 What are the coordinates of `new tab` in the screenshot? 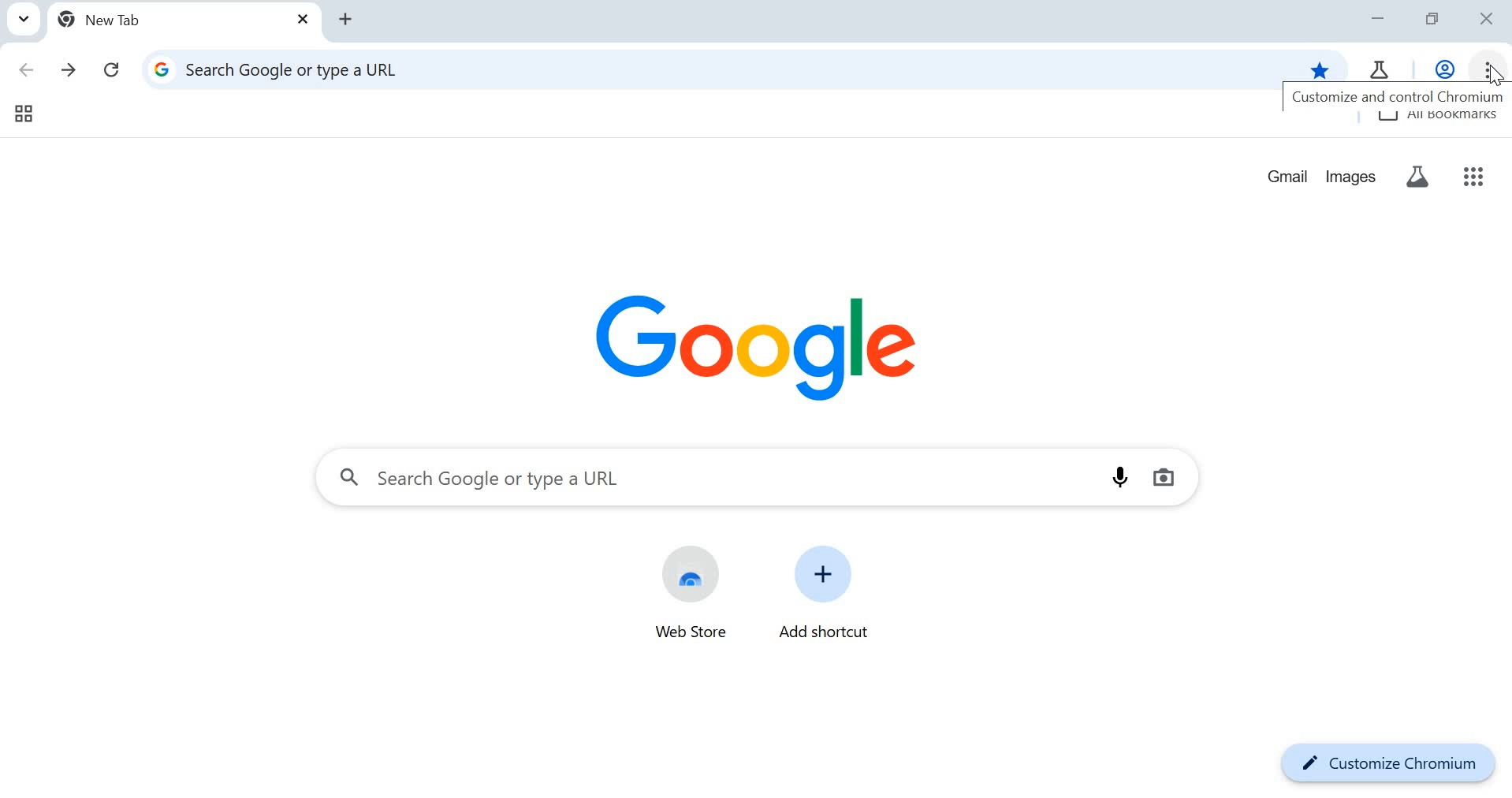 It's located at (180, 17).